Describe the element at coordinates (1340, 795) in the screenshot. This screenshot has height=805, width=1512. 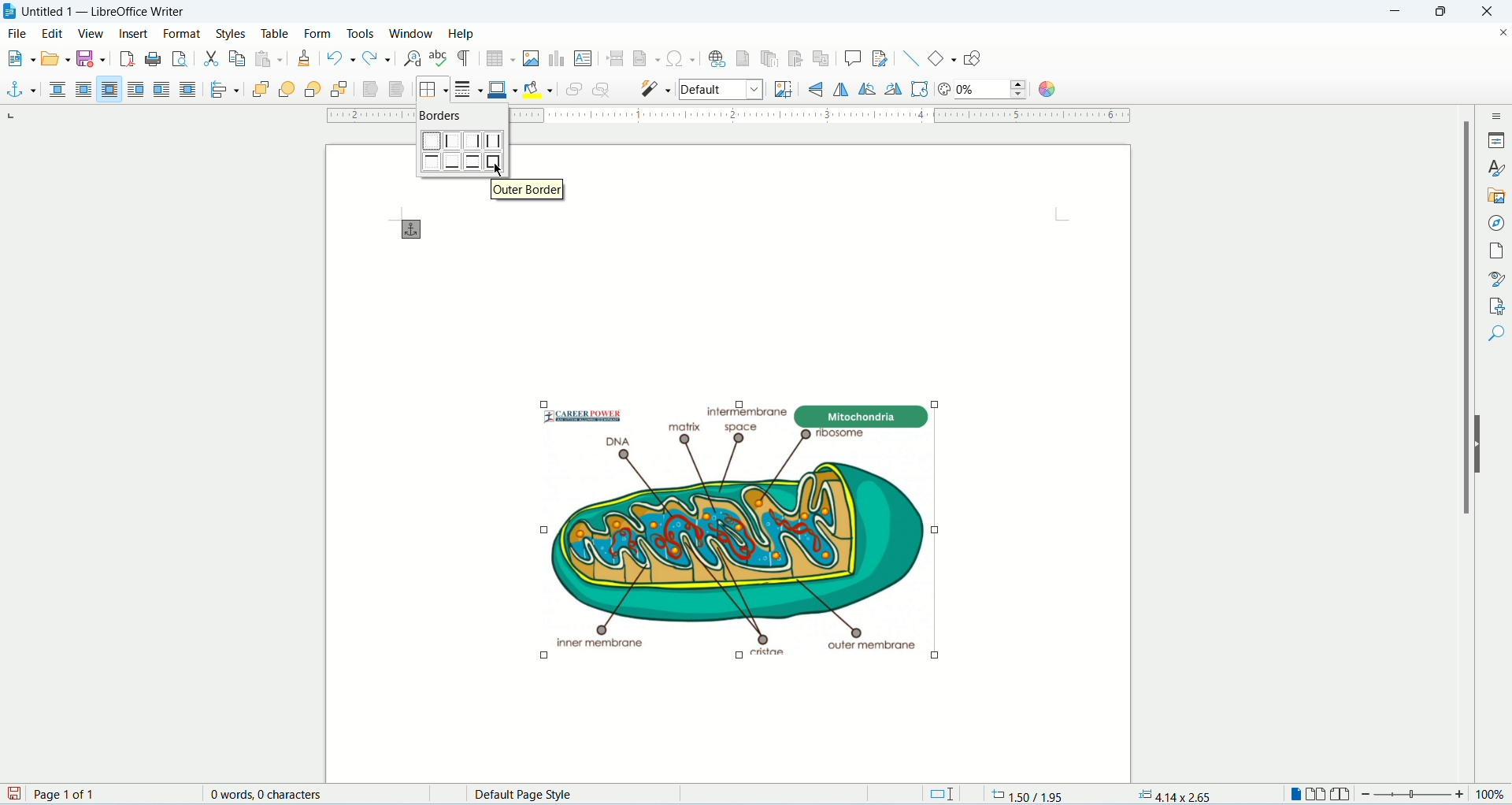
I see `book view` at that location.